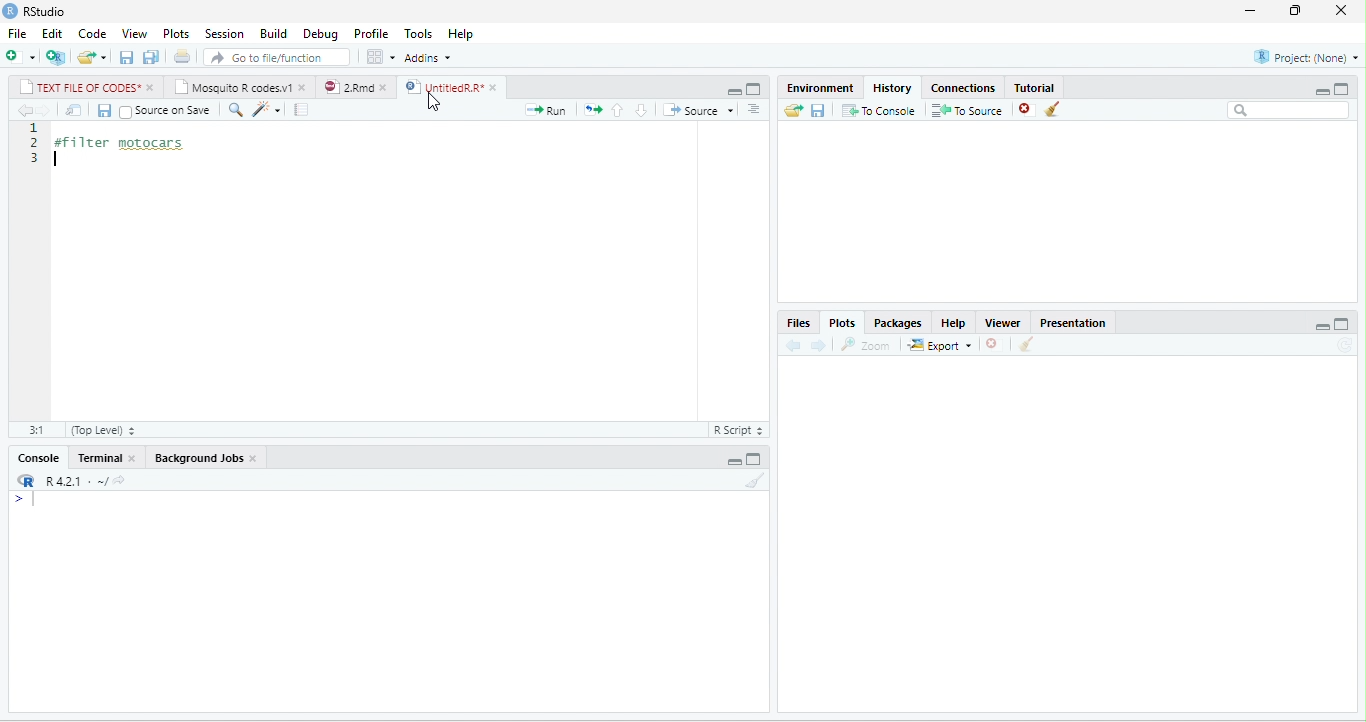 Image resolution: width=1366 pixels, height=722 pixels. I want to click on 3:1, so click(37, 430).